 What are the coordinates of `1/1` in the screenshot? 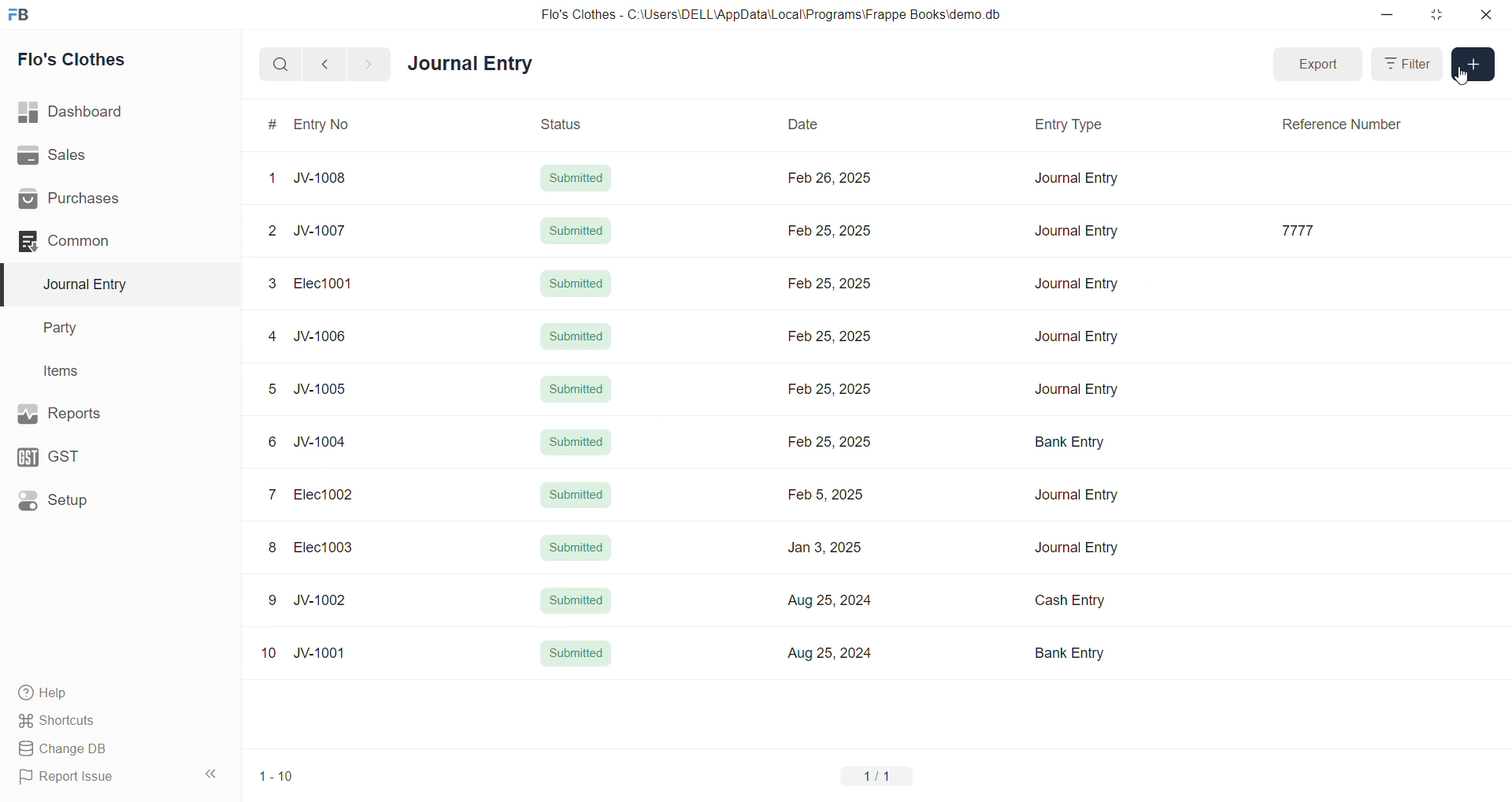 It's located at (880, 776).